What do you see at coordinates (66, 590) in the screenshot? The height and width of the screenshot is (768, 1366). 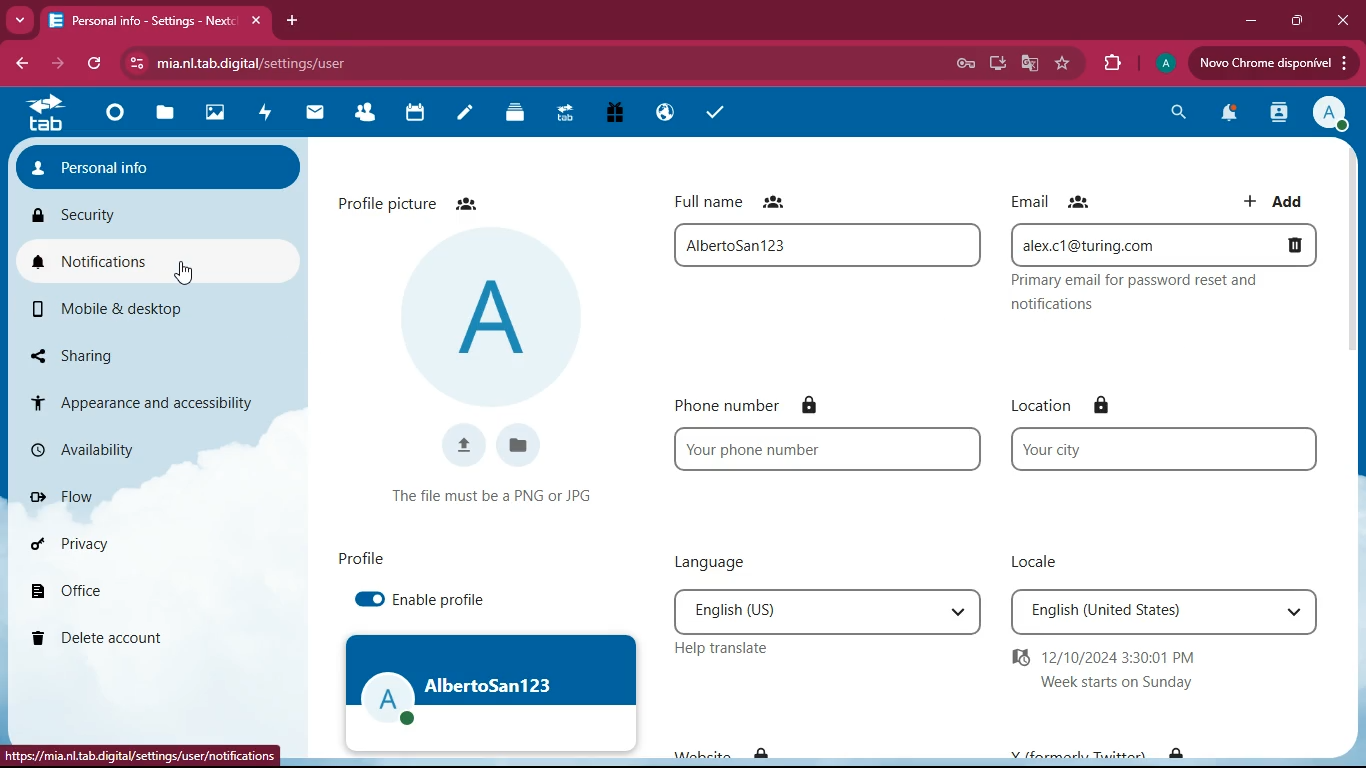 I see `office` at bounding box center [66, 590].